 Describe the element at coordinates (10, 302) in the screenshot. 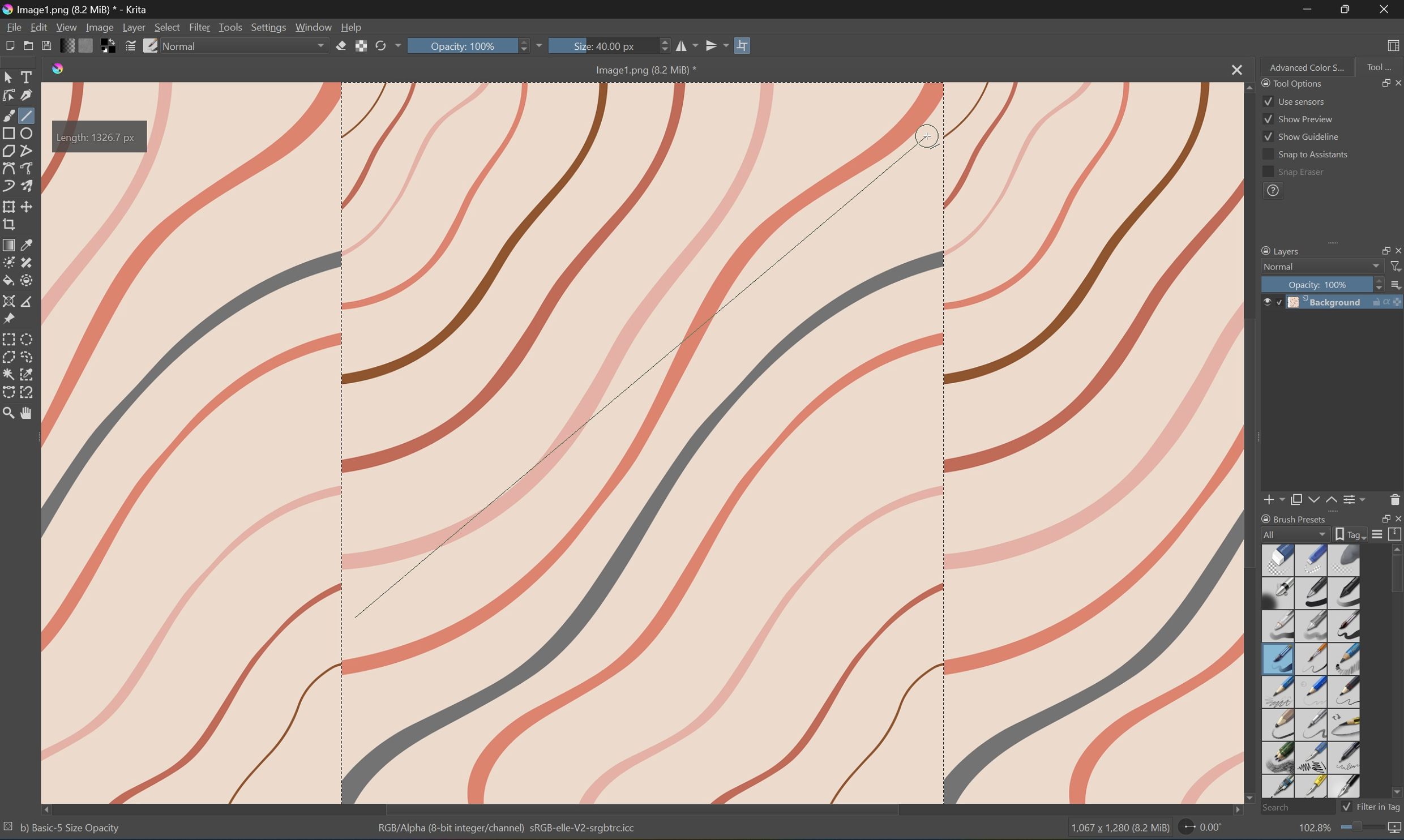

I see `Assistant tool` at that location.